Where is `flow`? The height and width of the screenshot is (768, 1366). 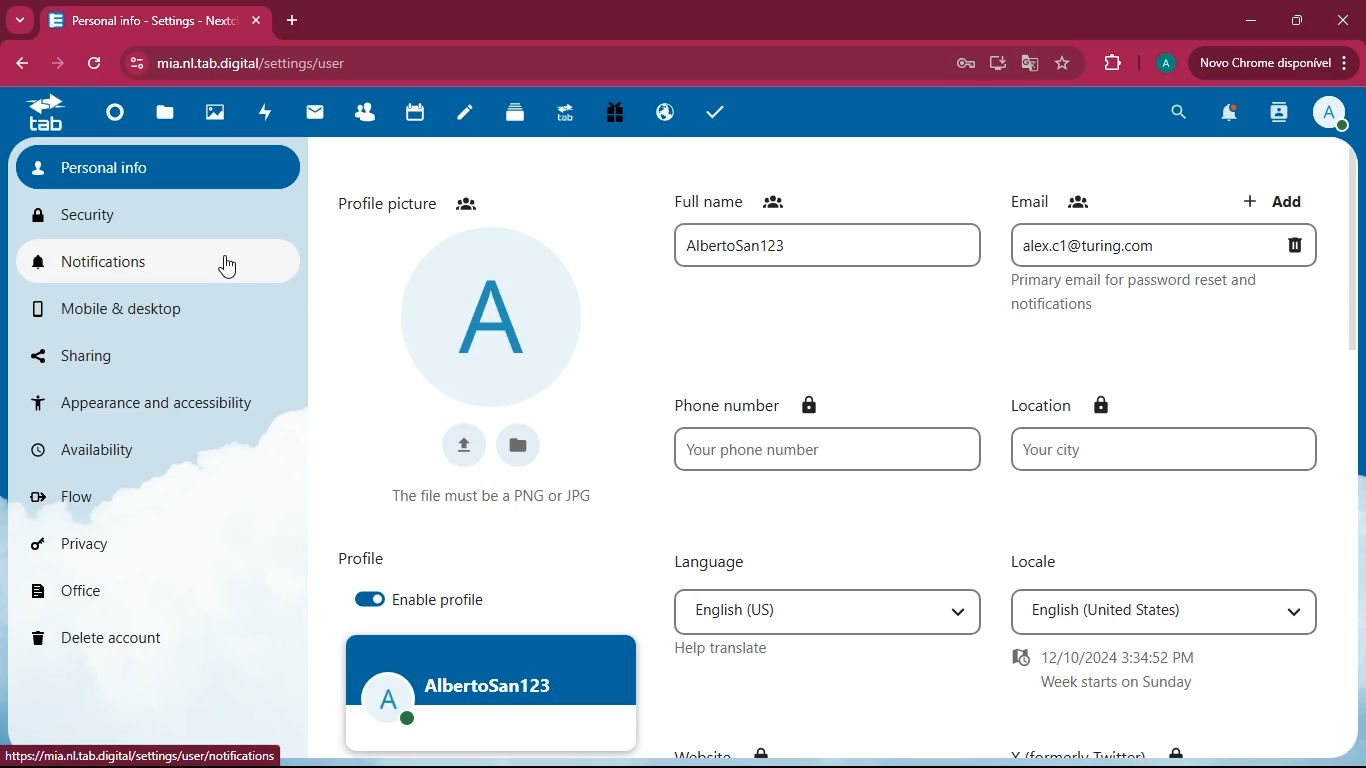 flow is located at coordinates (143, 500).